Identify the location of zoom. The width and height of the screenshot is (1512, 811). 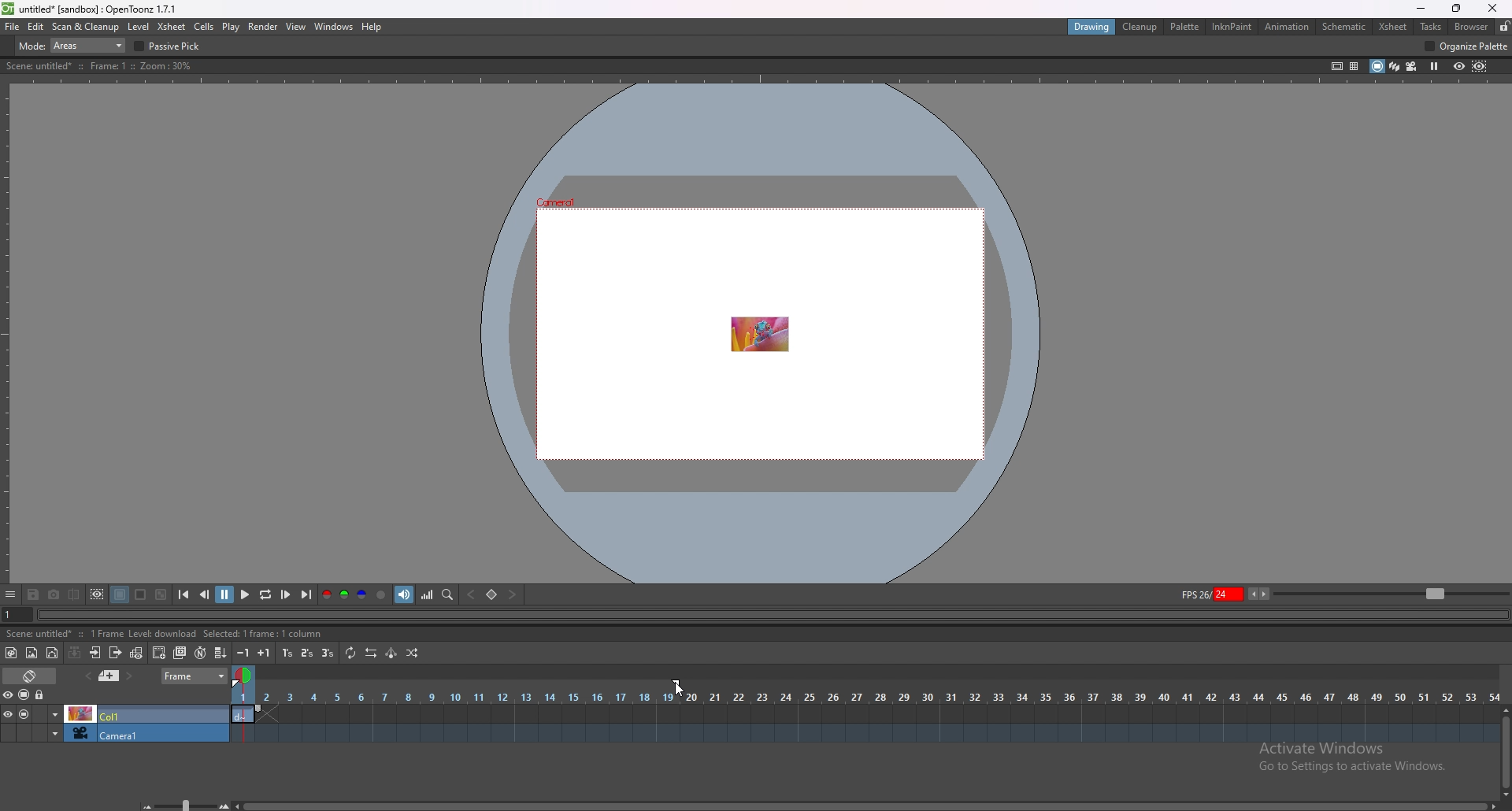
(1392, 592).